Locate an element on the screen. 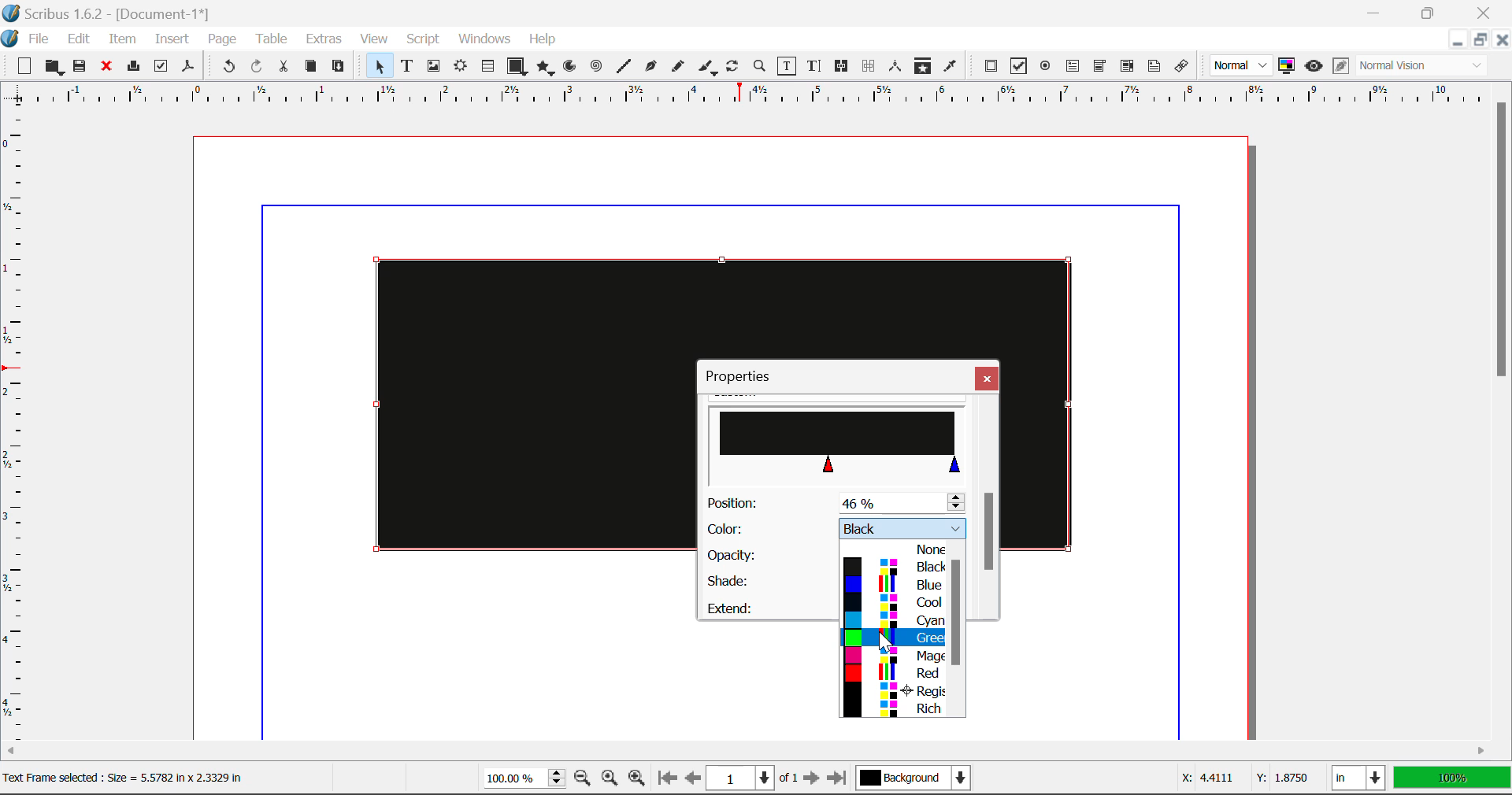 The height and width of the screenshot is (795, 1512). Zoom is located at coordinates (760, 65).